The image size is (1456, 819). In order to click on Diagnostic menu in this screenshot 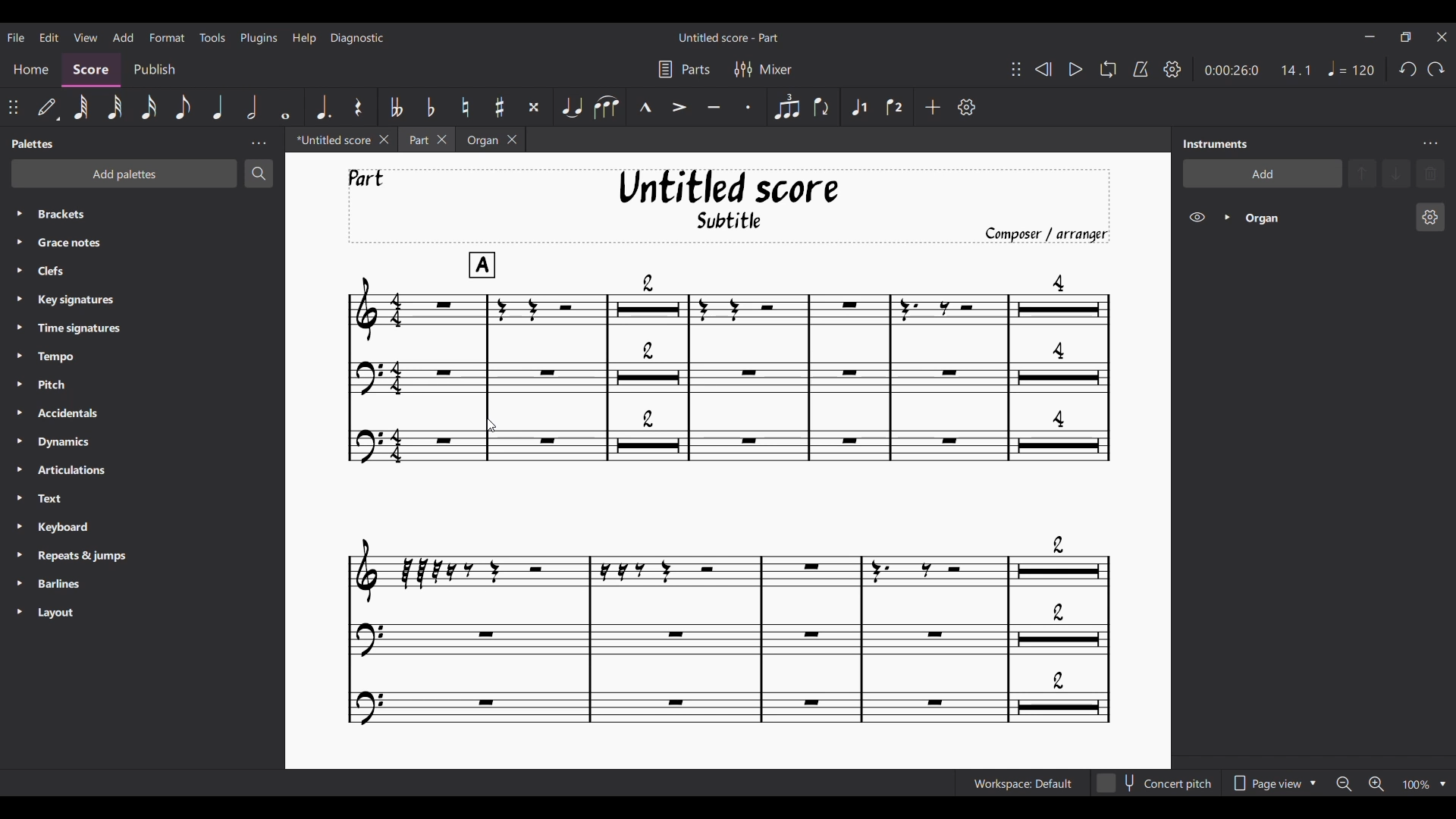, I will do `click(357, 38)`.